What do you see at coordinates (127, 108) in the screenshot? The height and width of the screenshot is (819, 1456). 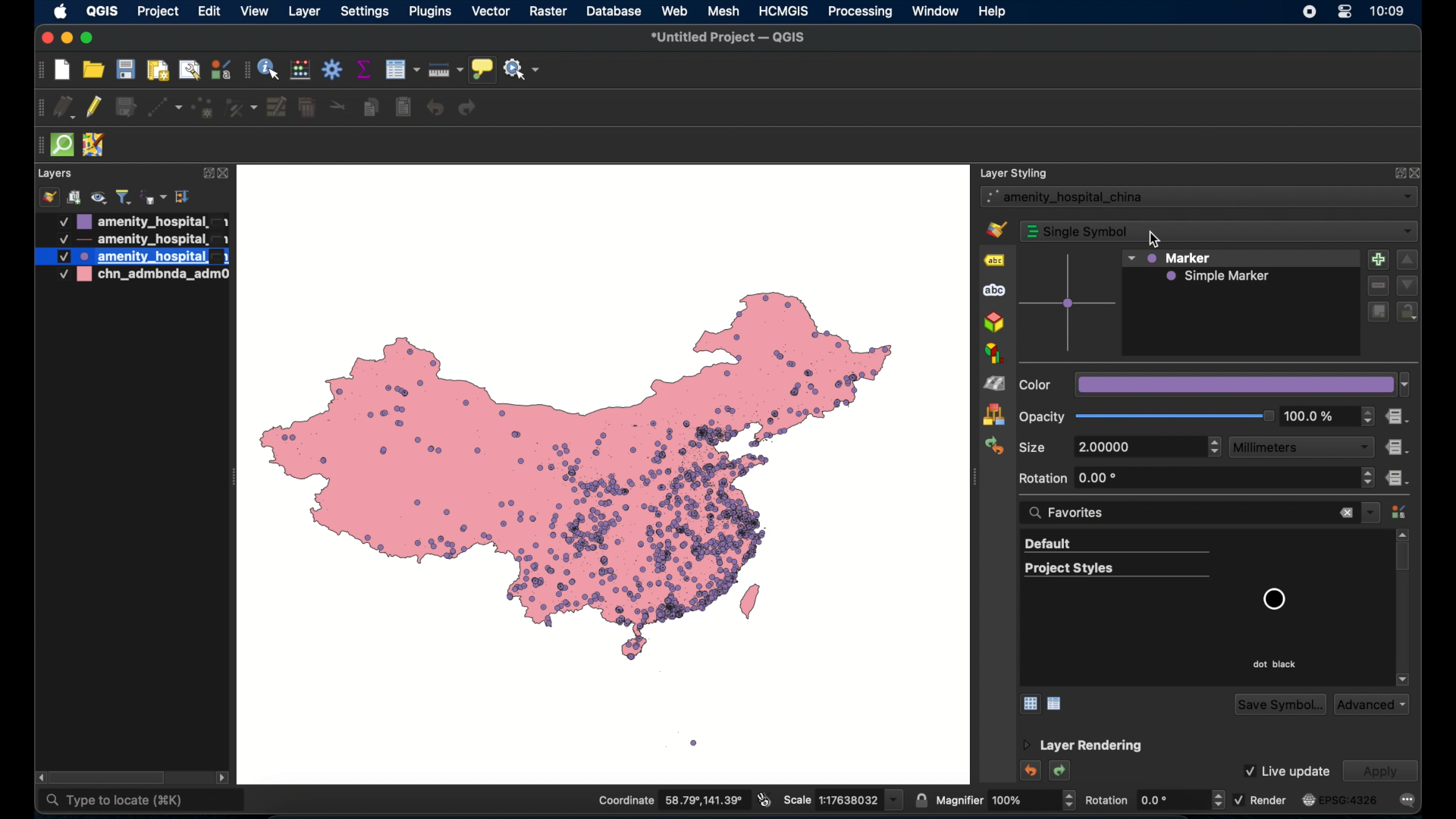 I see `save edits` at bounding box center [127, 108].